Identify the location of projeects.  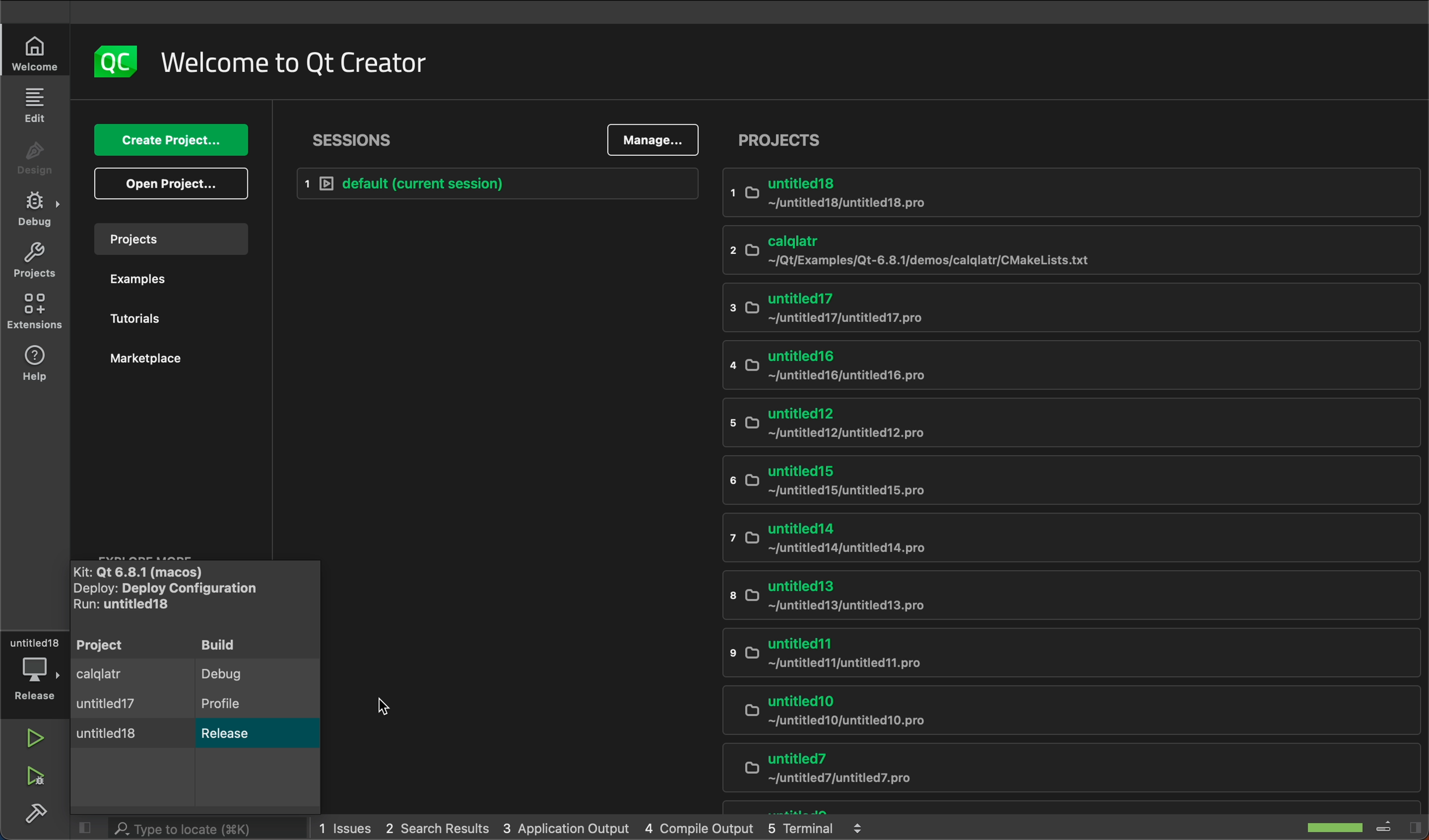
(1071, 139).